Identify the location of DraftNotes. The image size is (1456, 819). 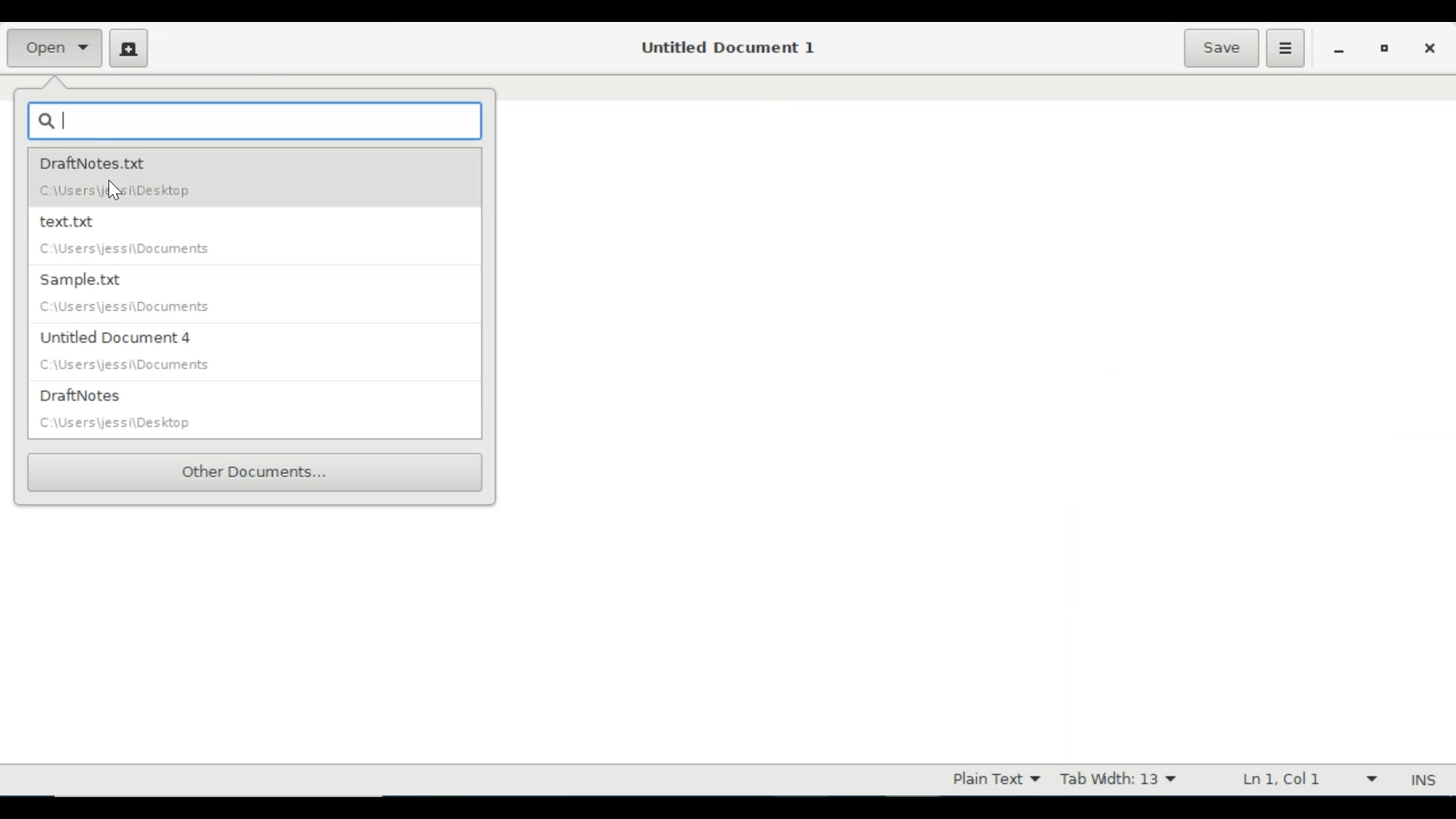
(261, 179).